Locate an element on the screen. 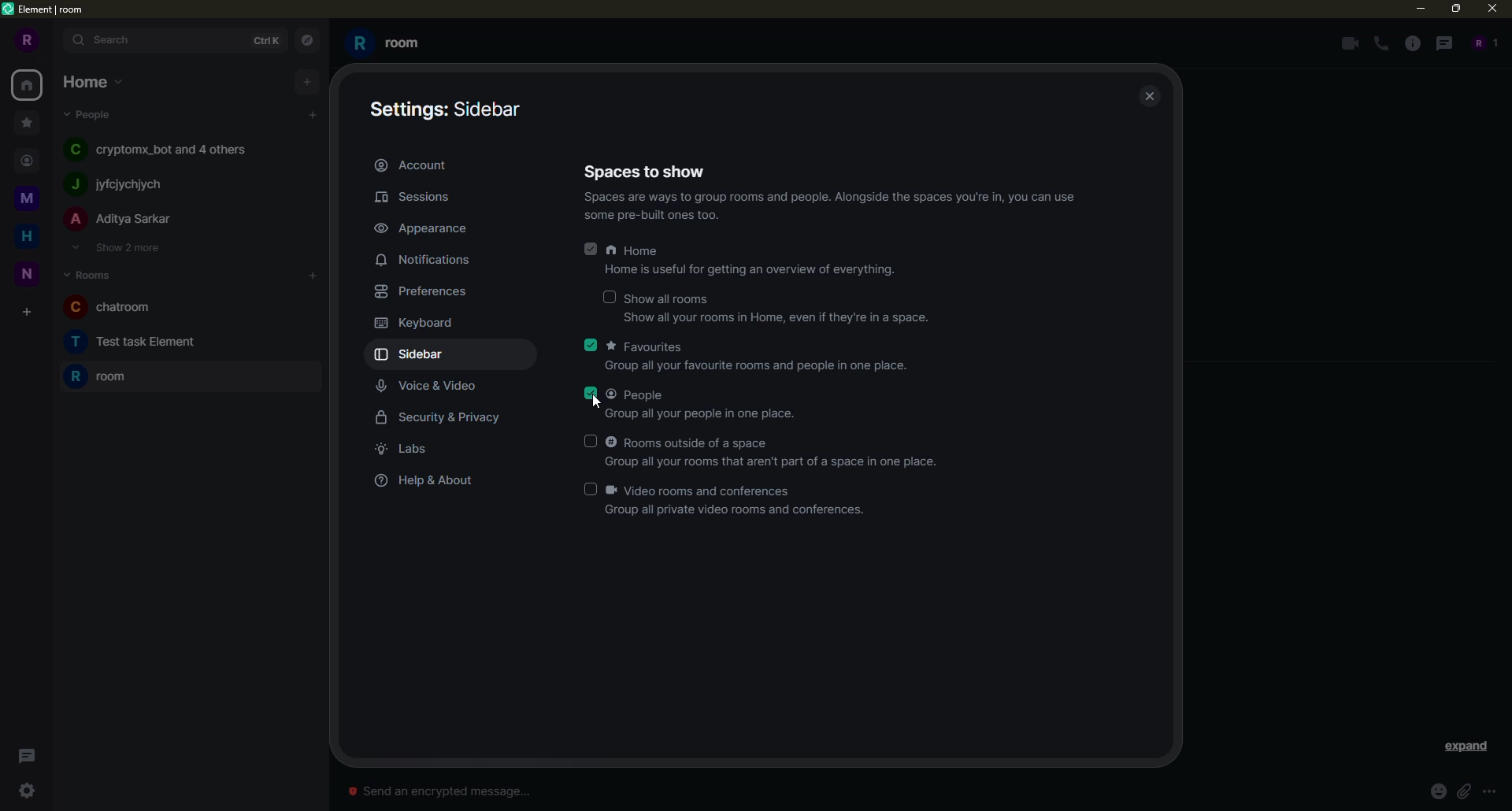  security & privacy is located at coordinates (441, 417).